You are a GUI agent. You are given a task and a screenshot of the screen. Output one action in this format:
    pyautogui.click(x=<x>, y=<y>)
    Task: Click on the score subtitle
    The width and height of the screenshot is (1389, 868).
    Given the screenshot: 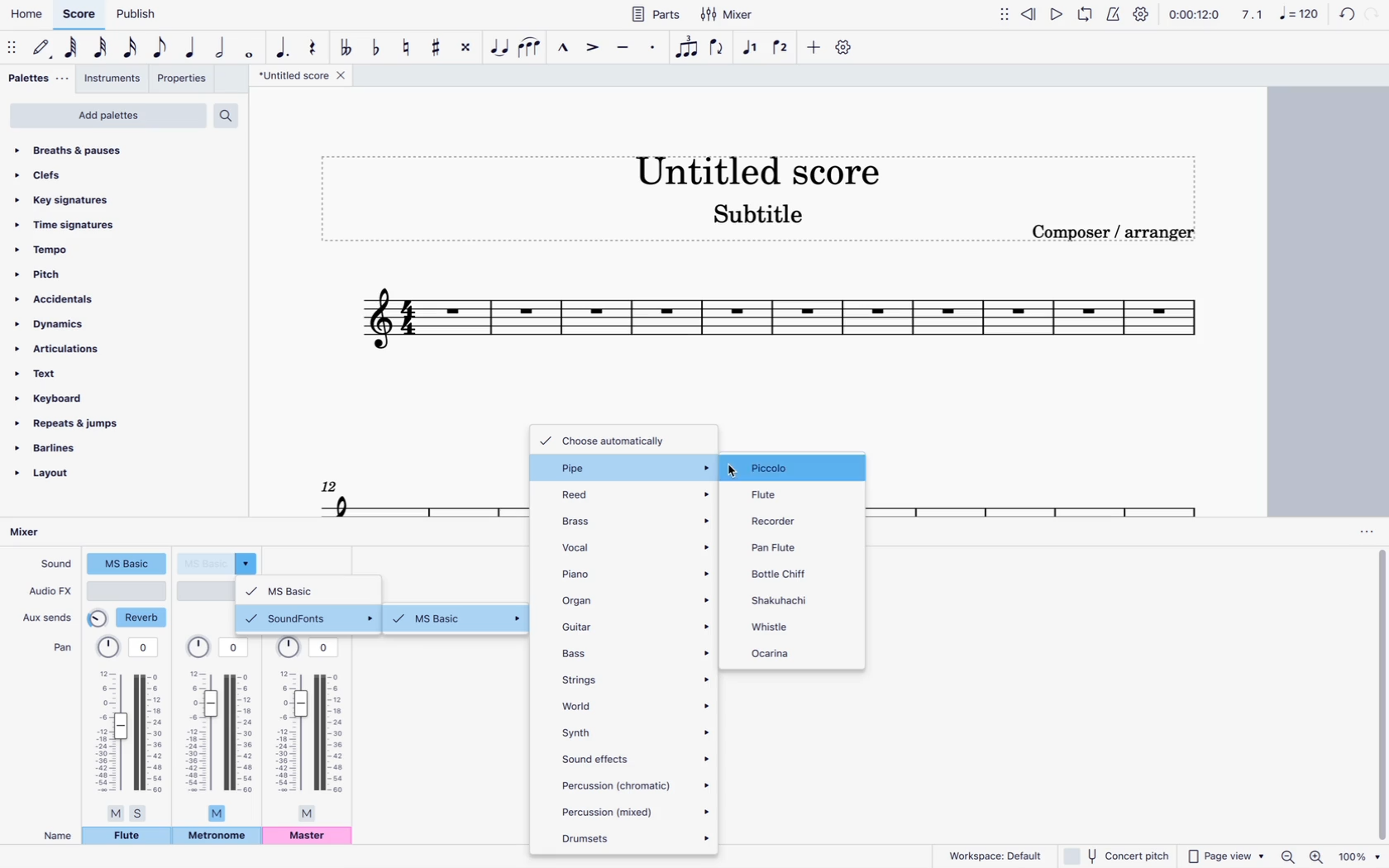 What is the action you would take?
    pyautogui.click(x=767, y=214)
    